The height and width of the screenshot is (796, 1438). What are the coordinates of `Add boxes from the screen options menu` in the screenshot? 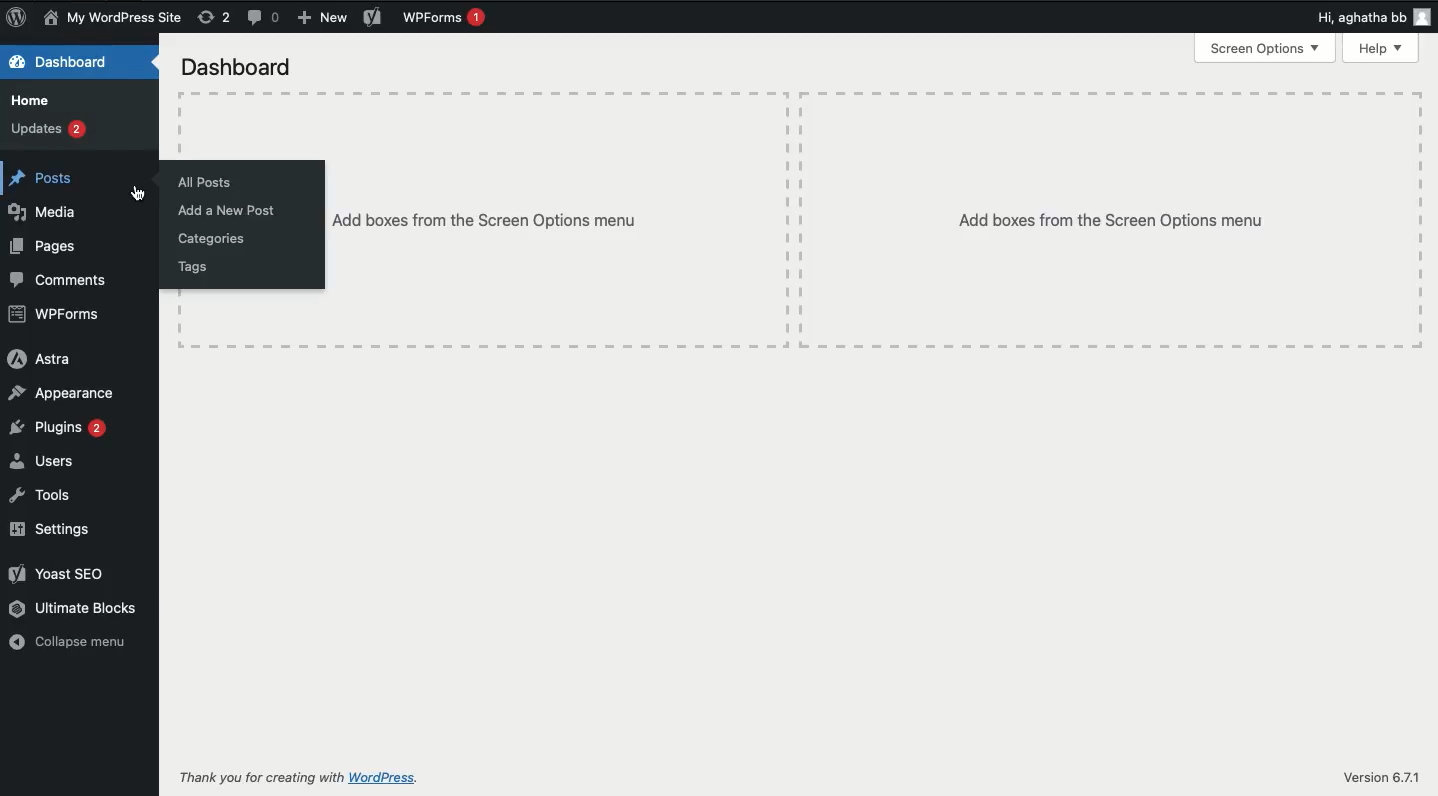 It's located at (1113, 220).